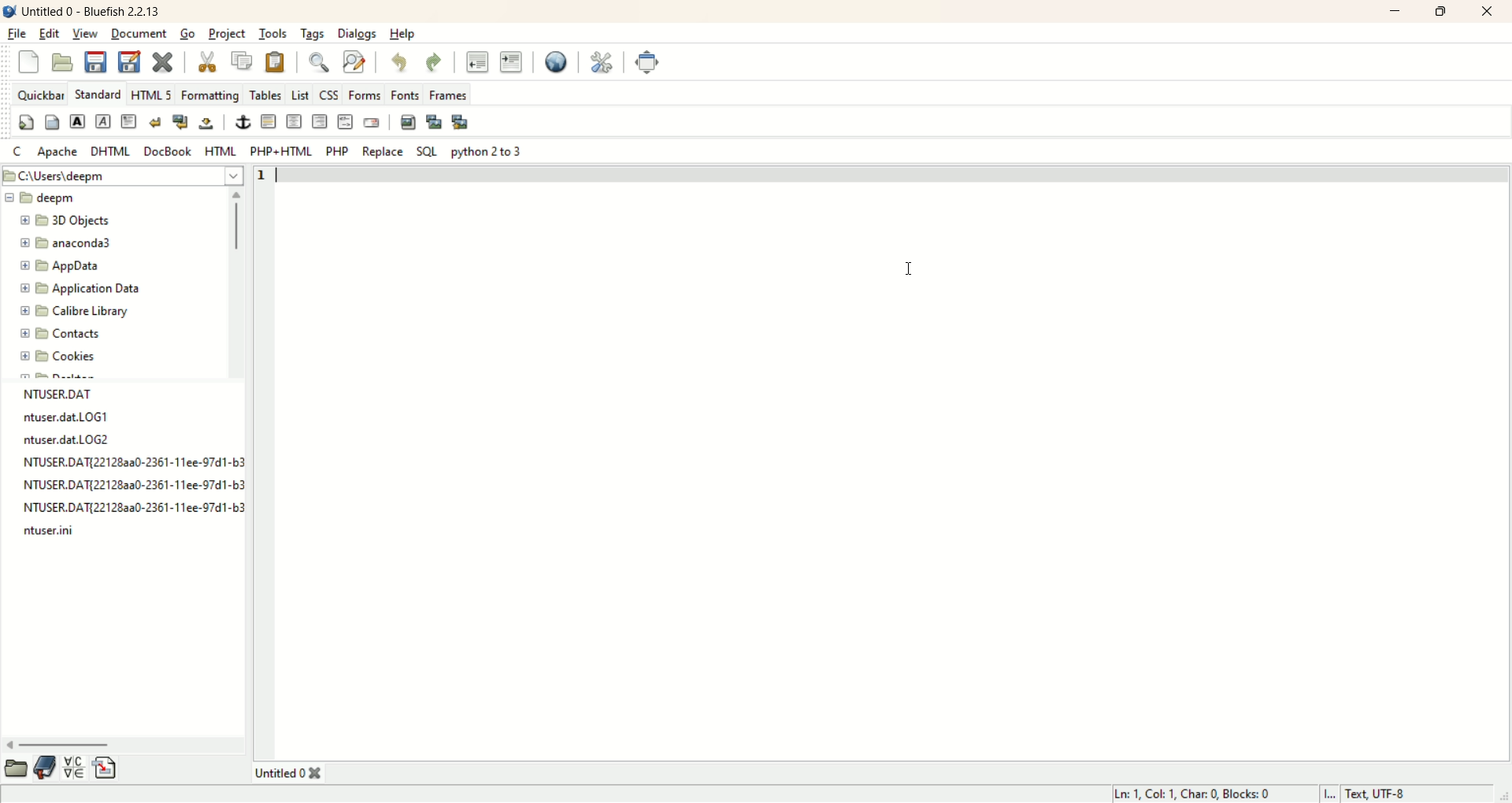 The height and width of the screenshot is (803, 1512). What do you see at coordinates (76, 289) in the screenshot?
I see `application data` at bounding box center [76, 289].